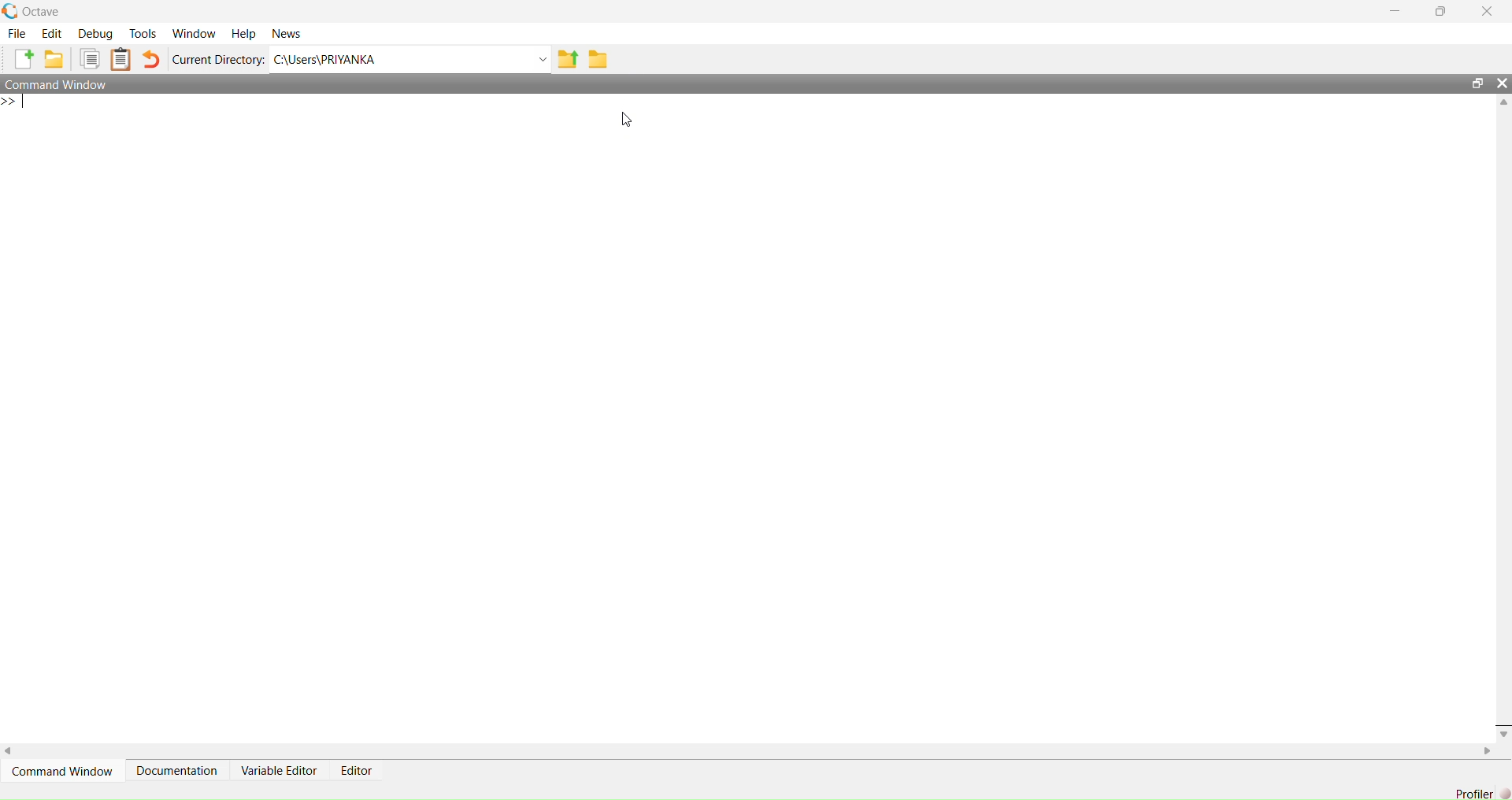 The image size is (1512, 800). I want to click on Copy, so click(91, 58).